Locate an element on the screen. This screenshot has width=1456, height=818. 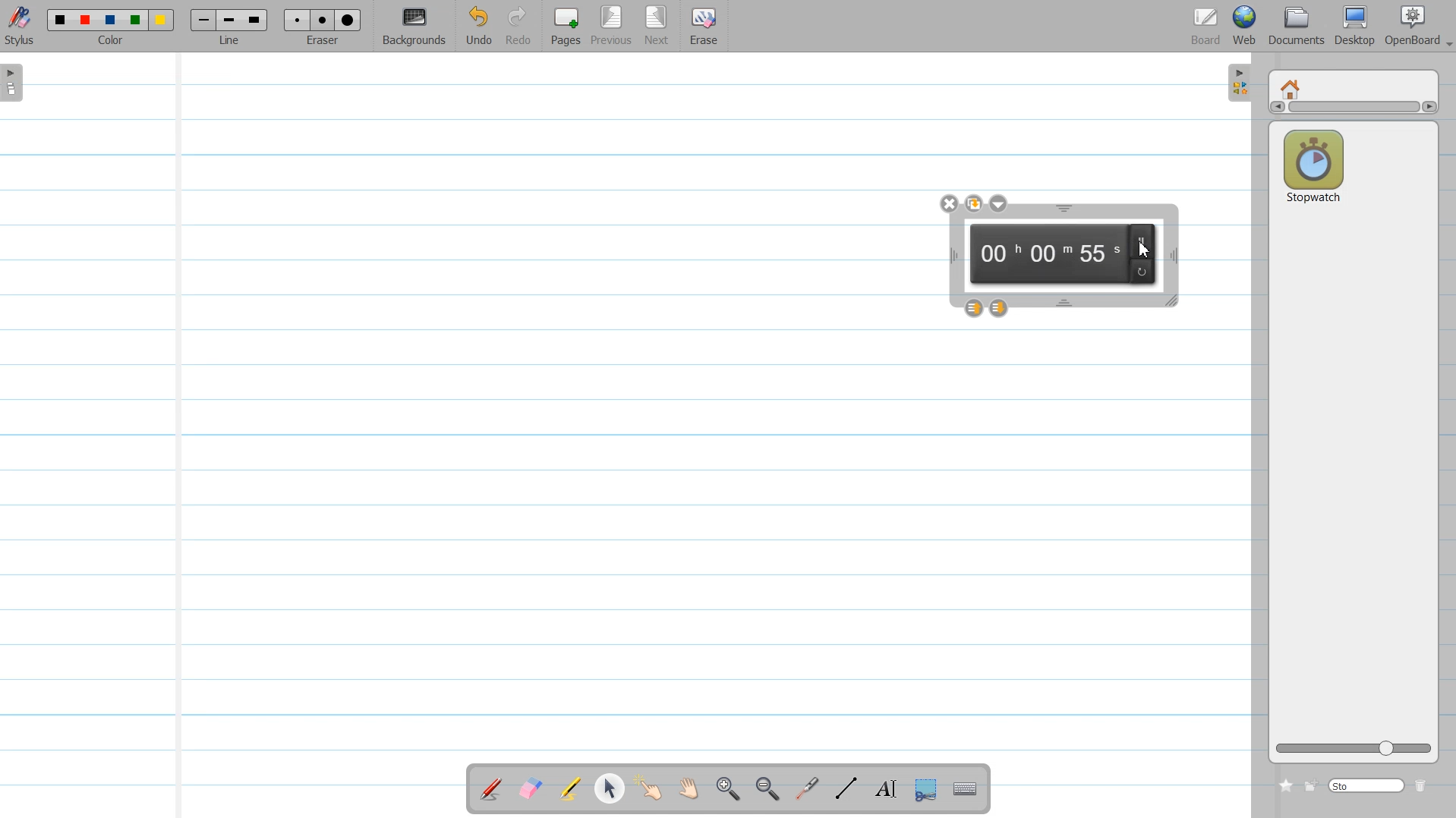
Capture part of the Screen is located at coordinates (928, 790).